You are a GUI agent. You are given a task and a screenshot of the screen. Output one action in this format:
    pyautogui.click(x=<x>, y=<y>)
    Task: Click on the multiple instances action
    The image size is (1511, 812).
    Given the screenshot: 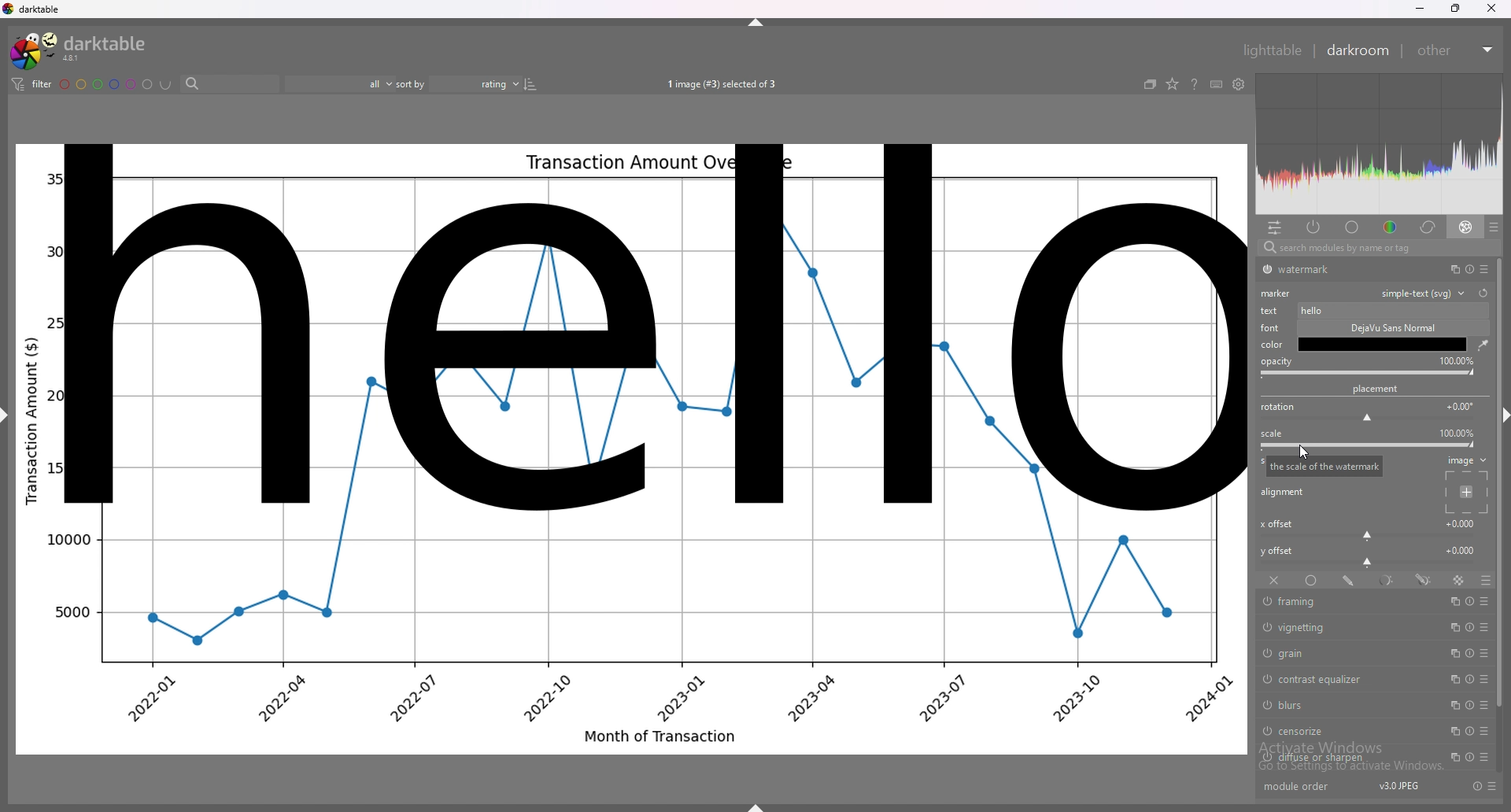 What is the action you would take?
    pyautogui.click(x=1454, y=600)
    